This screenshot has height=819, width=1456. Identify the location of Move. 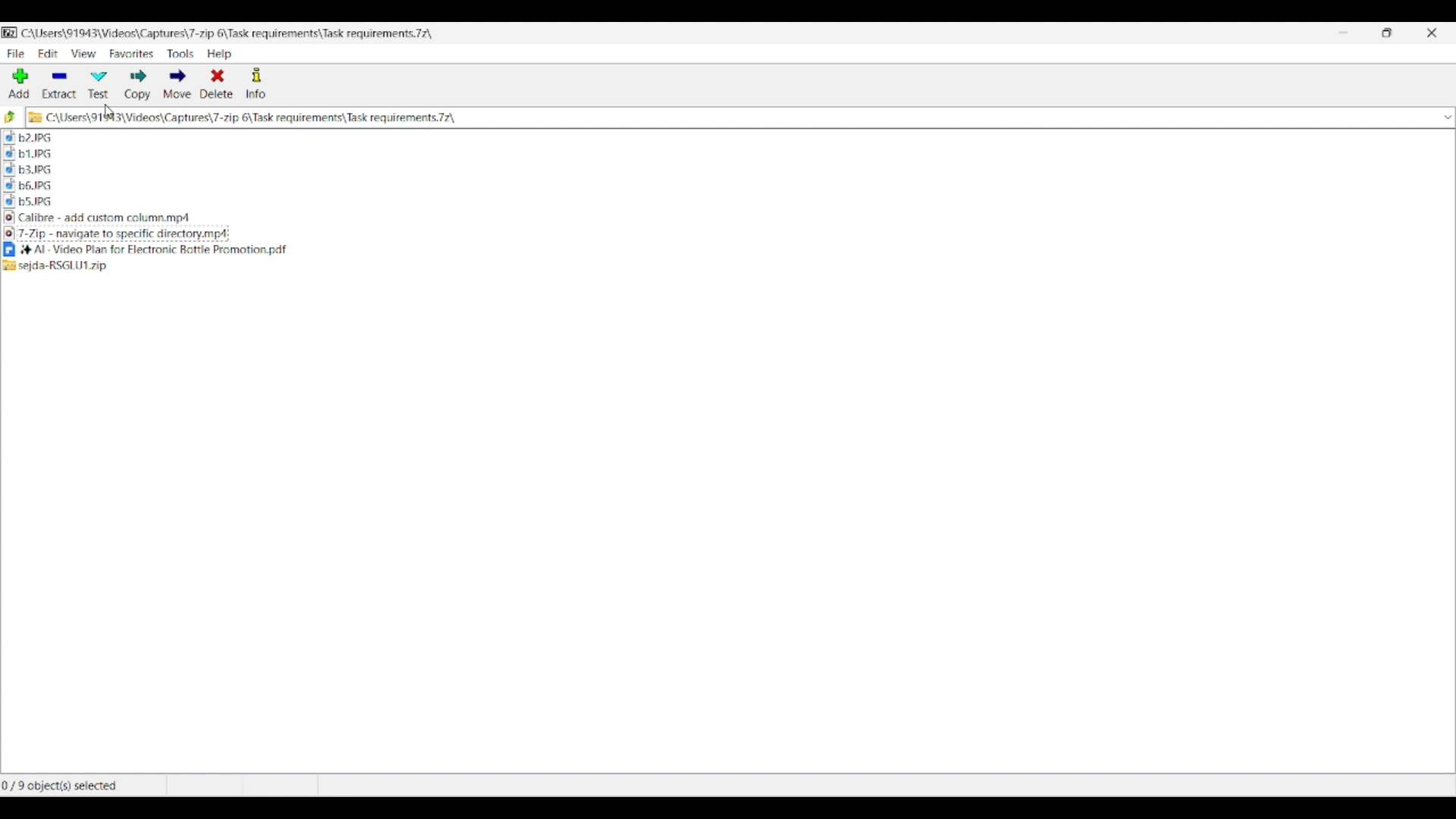
(177, 83).